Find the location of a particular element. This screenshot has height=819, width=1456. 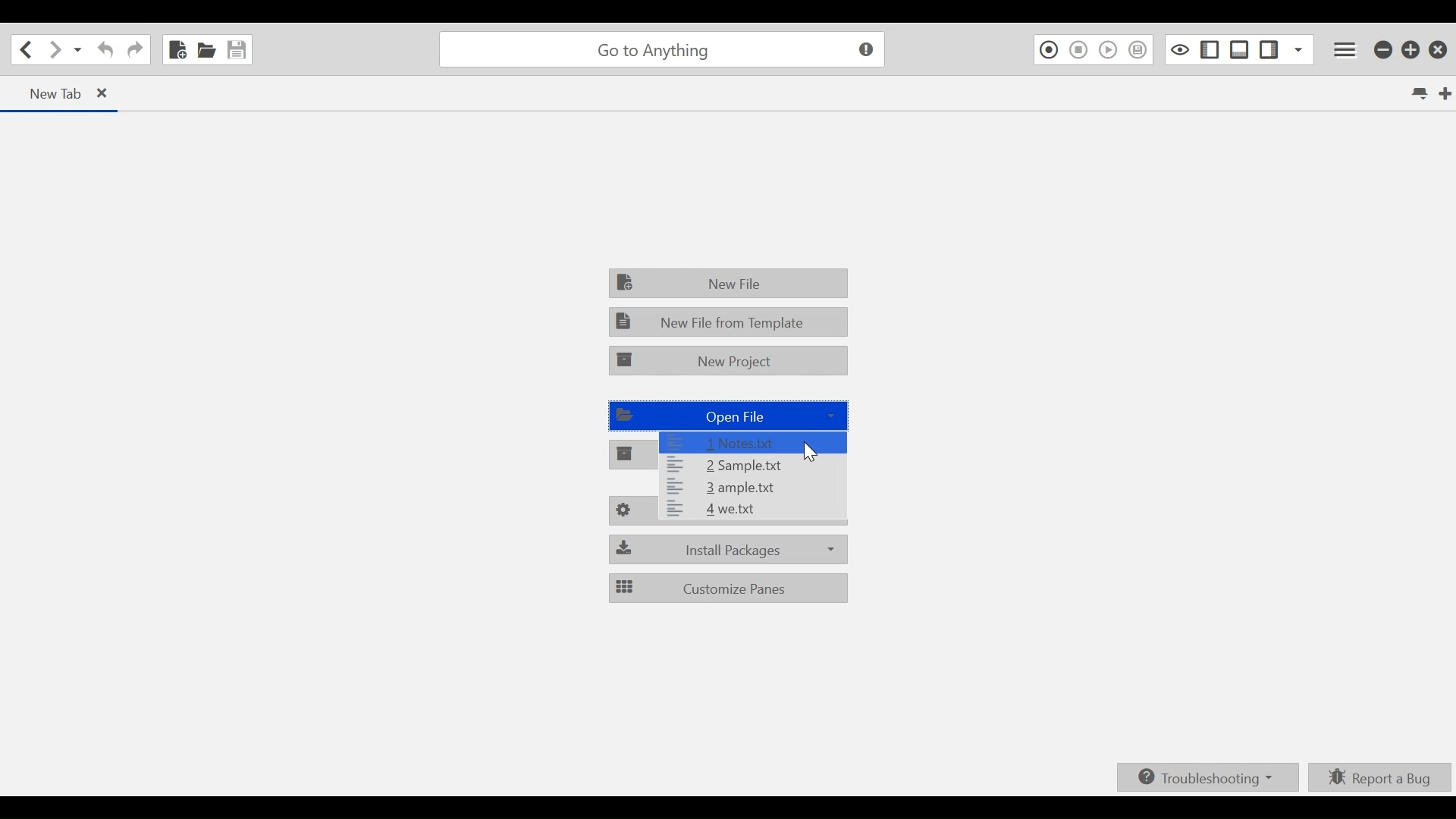

Open File is located at coordinates (206, 49).